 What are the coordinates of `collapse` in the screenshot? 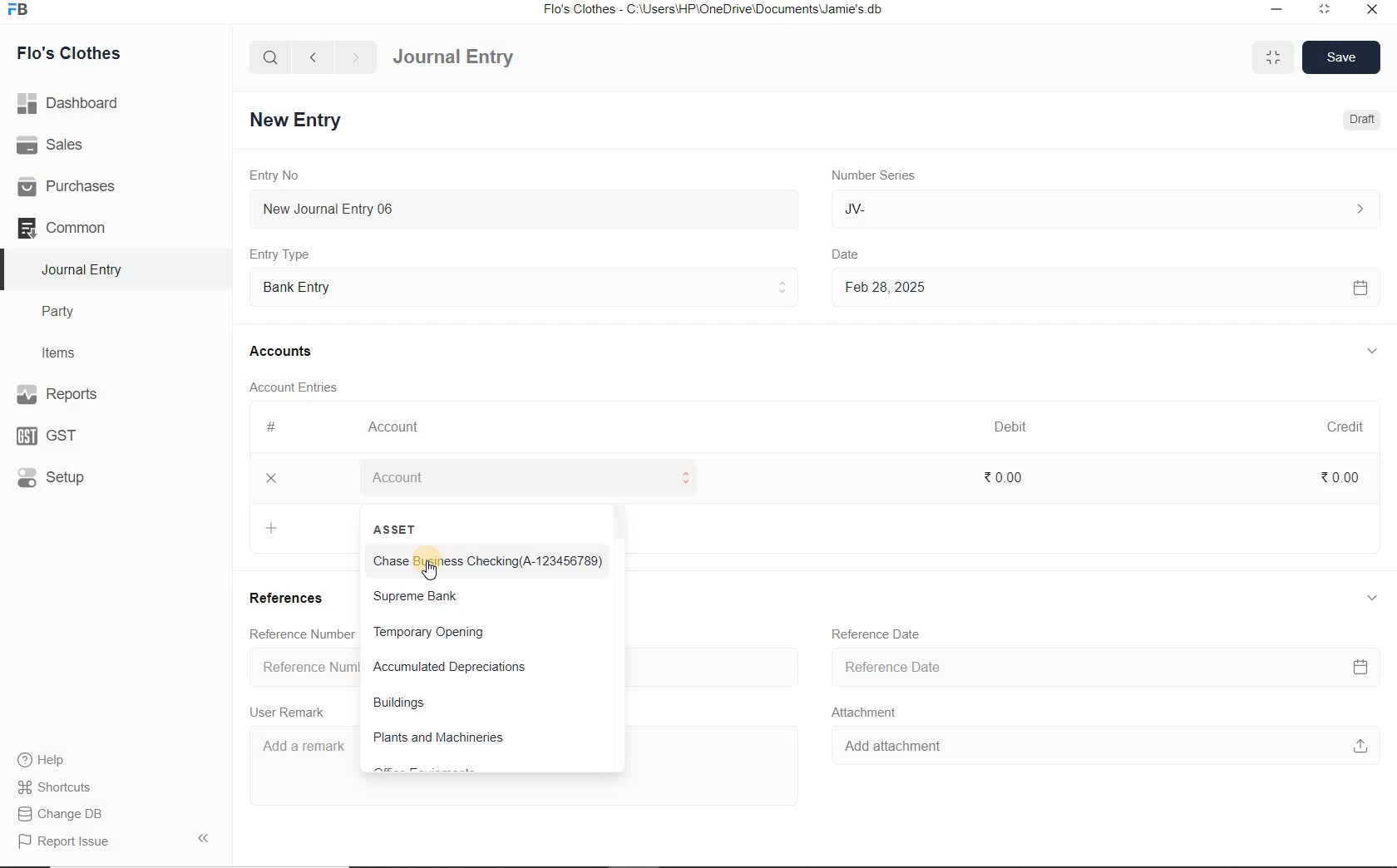 It's located at (1372, 352).